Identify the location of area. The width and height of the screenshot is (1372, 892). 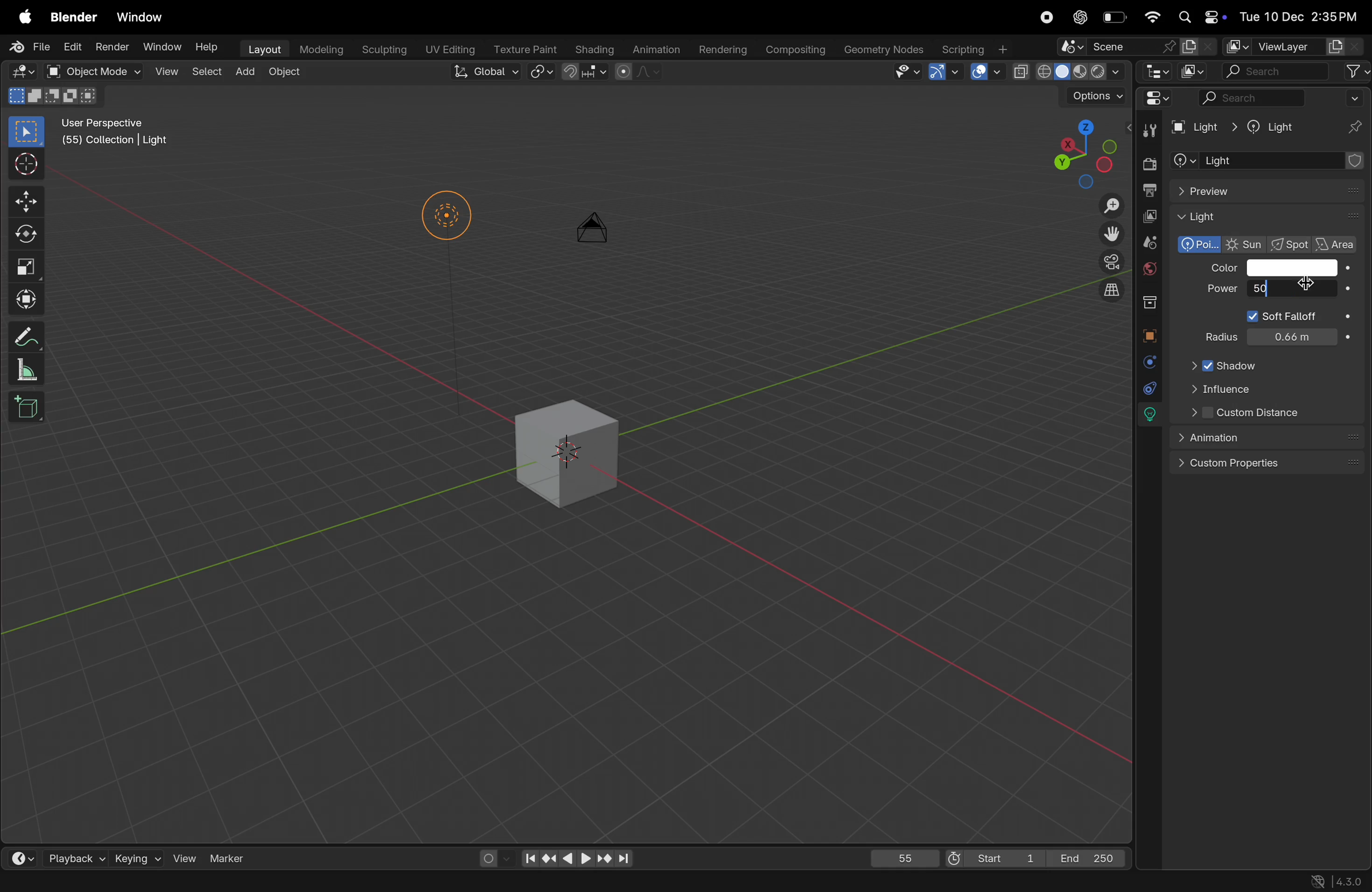
(1339, 243).